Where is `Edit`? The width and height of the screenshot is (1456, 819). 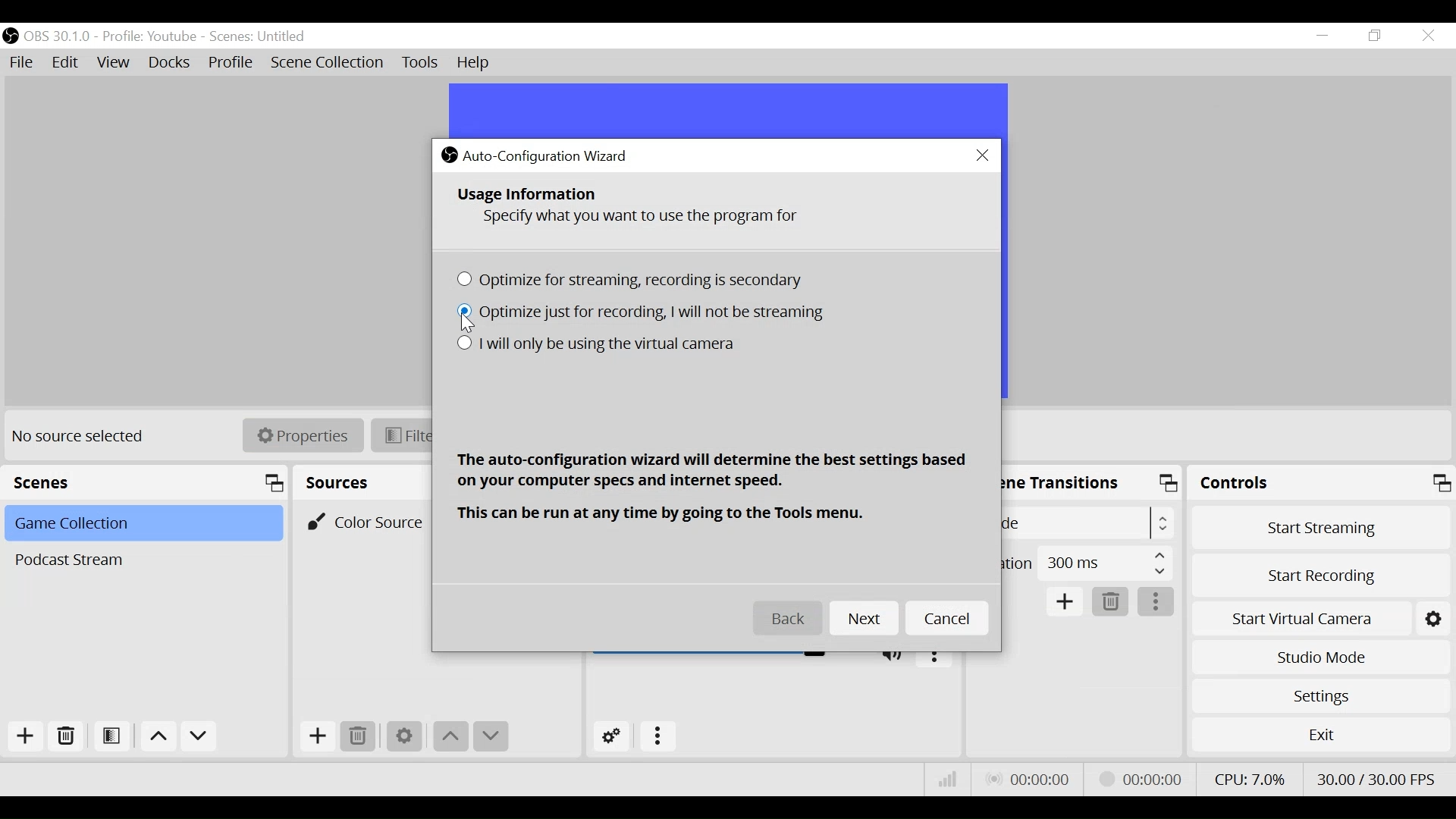
Edit is located at coordinates (67, 64).